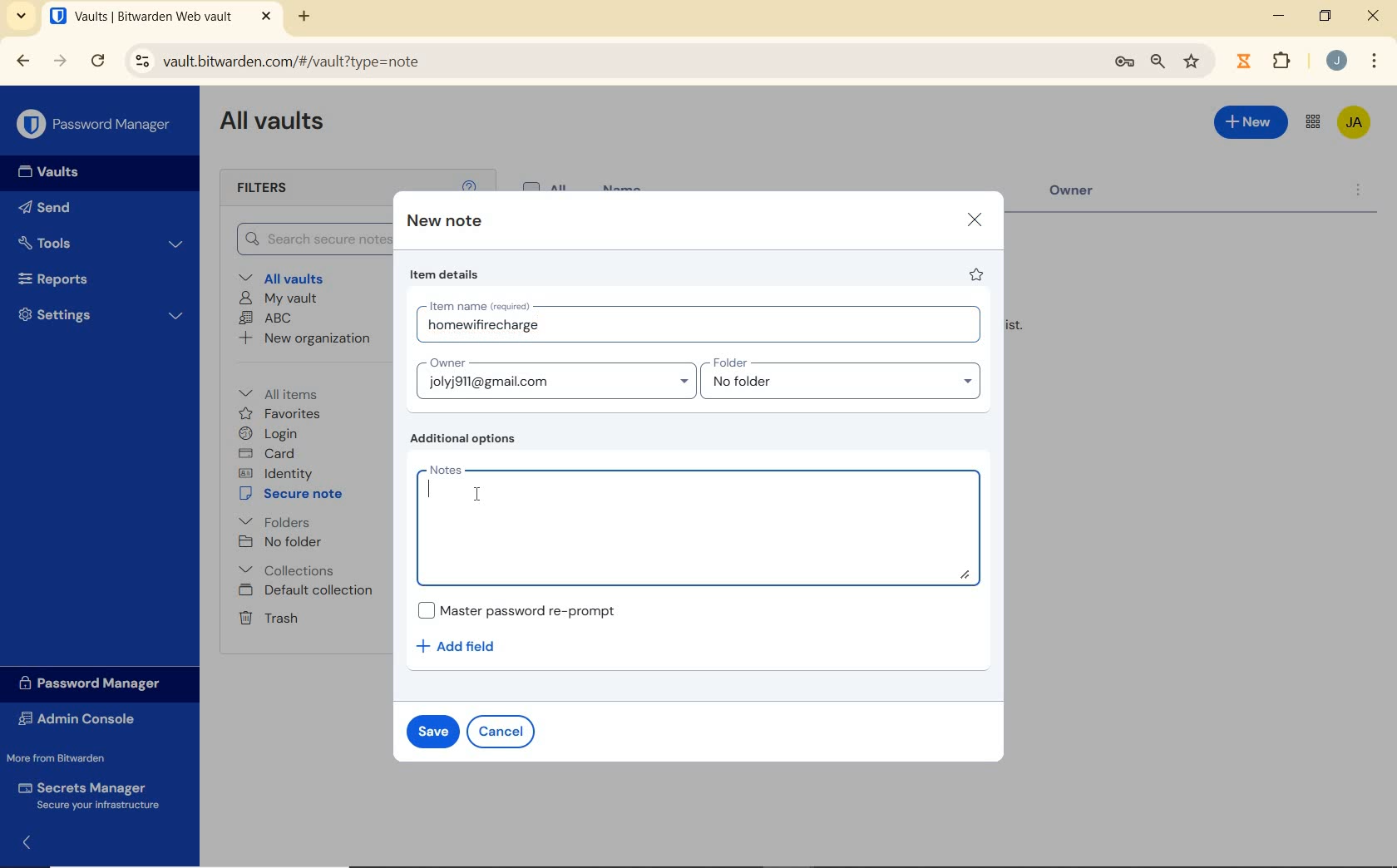 This screenshot has width=1397, height=868. I want to click on Tools, so click(102, 242).